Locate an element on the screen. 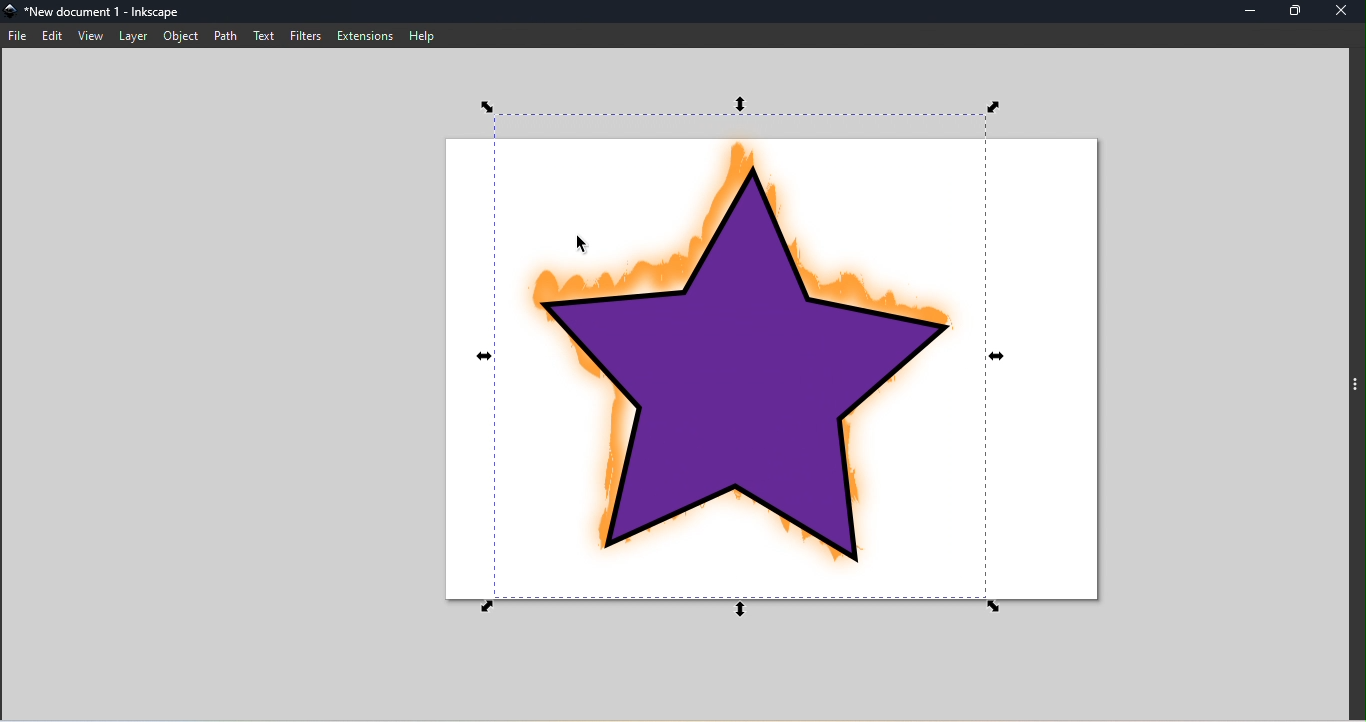 This screenshot has width=1366, height=722. Edit is located at coordinates (55, 37).